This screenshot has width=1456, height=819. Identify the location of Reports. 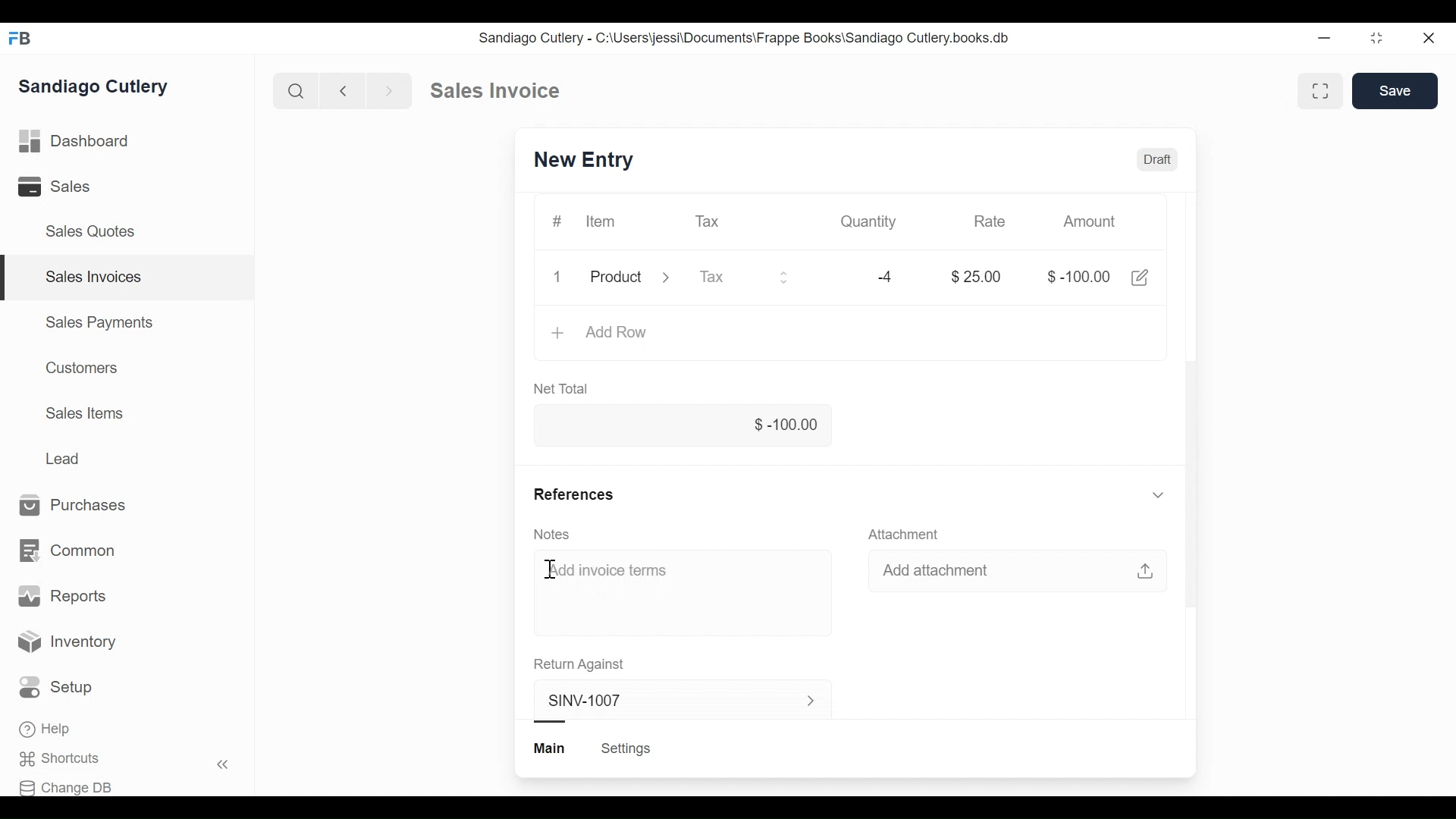
(60, 595).